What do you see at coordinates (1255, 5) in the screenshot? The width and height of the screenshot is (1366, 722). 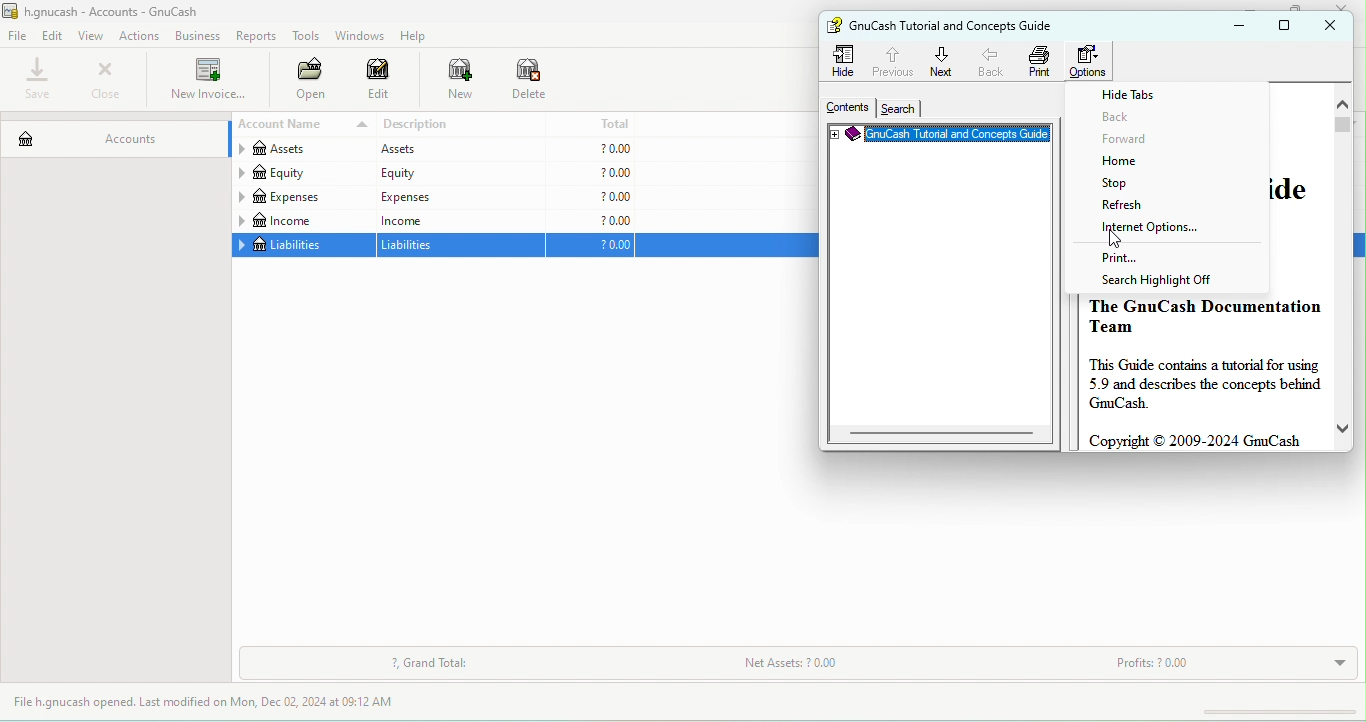 I see `minimize` at bounding box center [1255, 5].